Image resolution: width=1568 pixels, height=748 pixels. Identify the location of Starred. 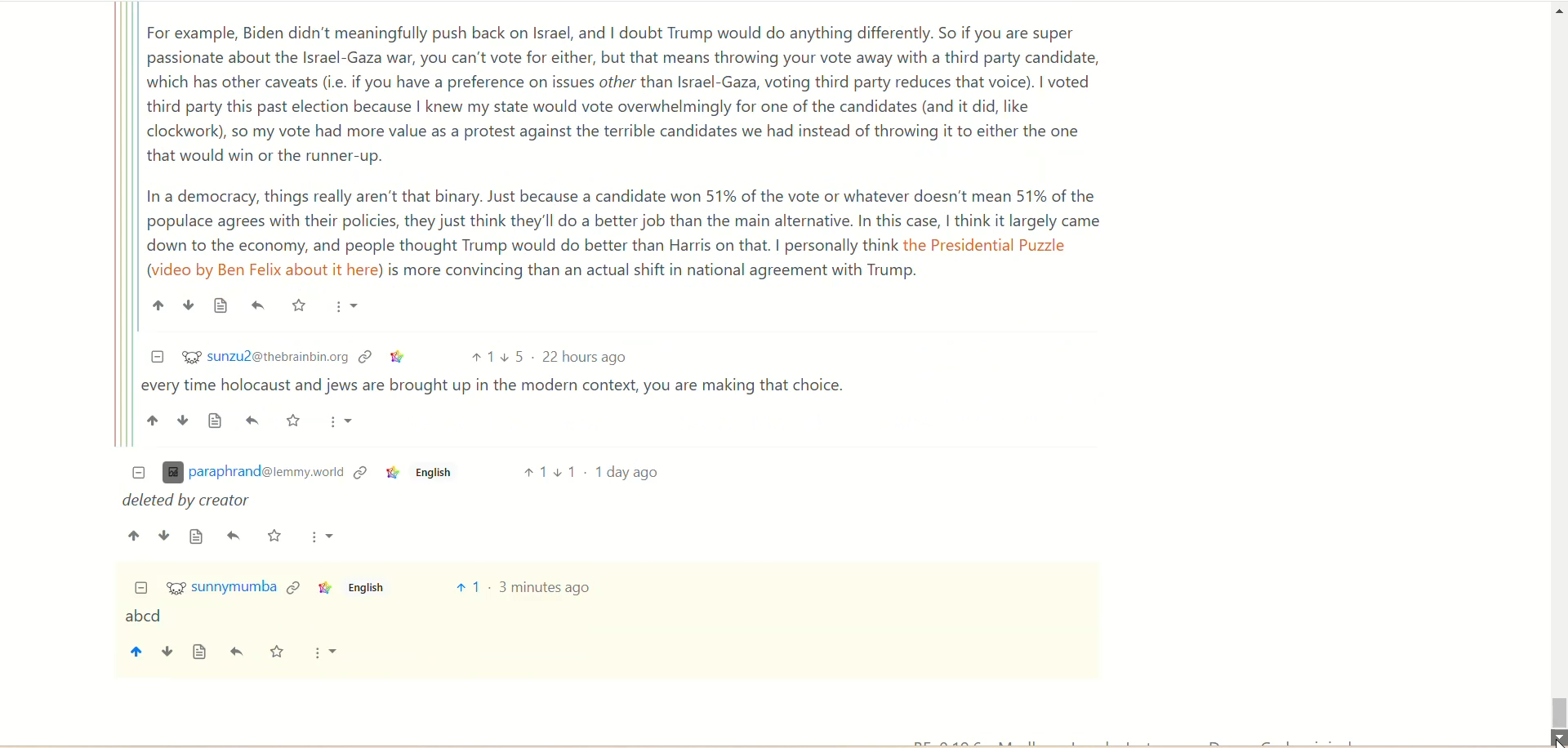
(295, 420).